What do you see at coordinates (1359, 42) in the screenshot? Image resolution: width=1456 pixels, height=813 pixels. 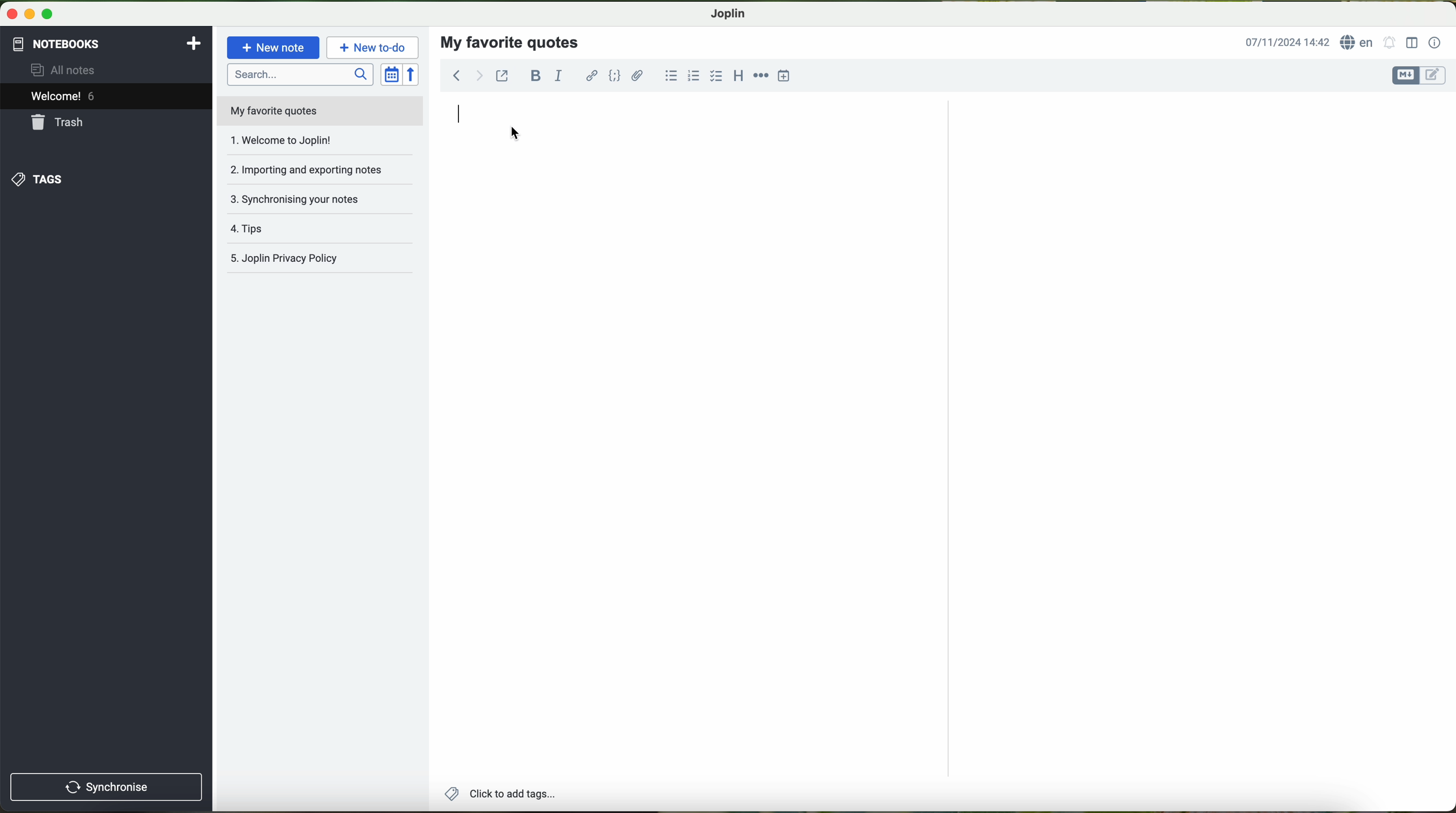 I see `language` at bounding box center [1359, 42].